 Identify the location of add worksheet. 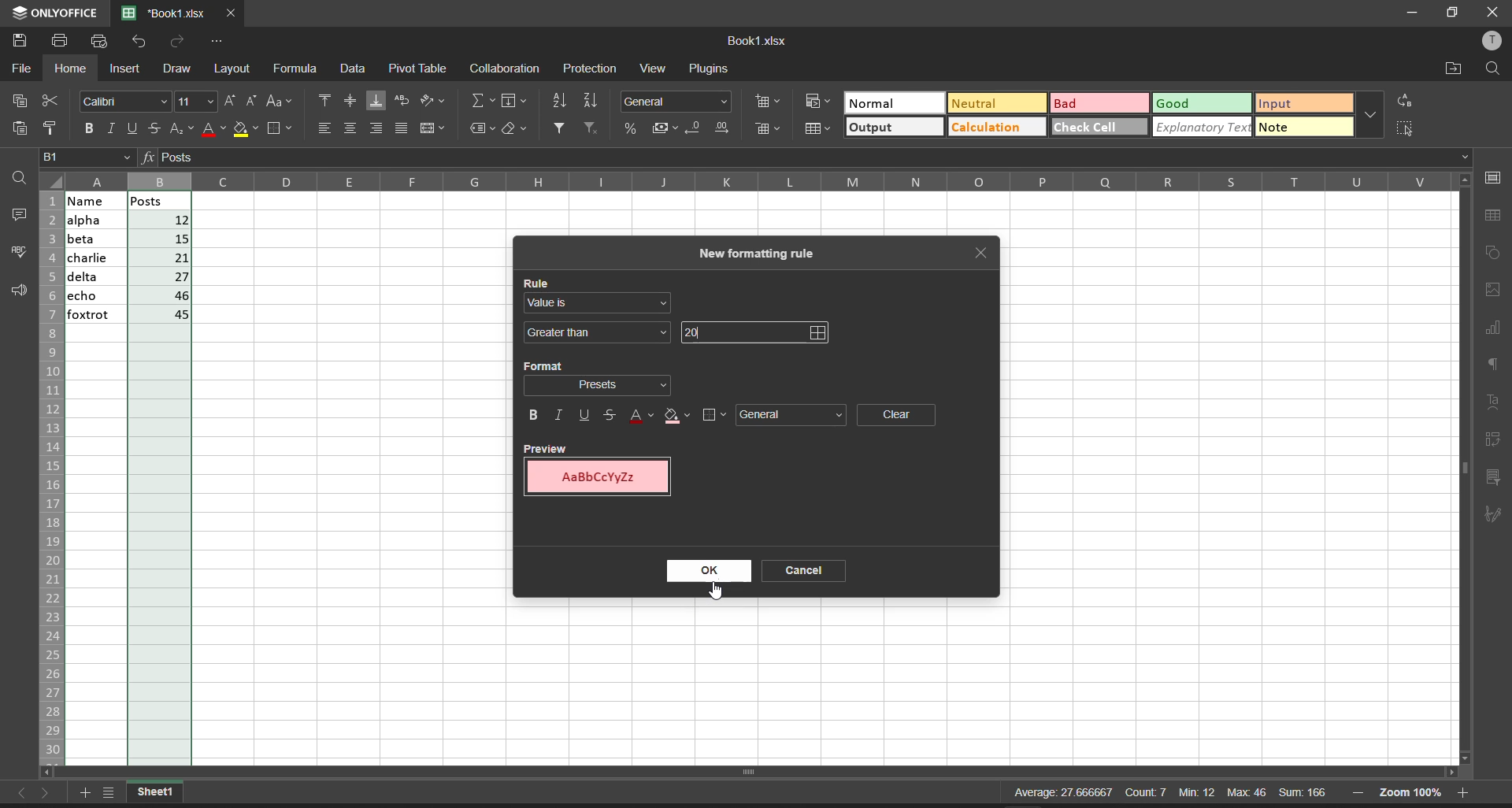
(84, 791).